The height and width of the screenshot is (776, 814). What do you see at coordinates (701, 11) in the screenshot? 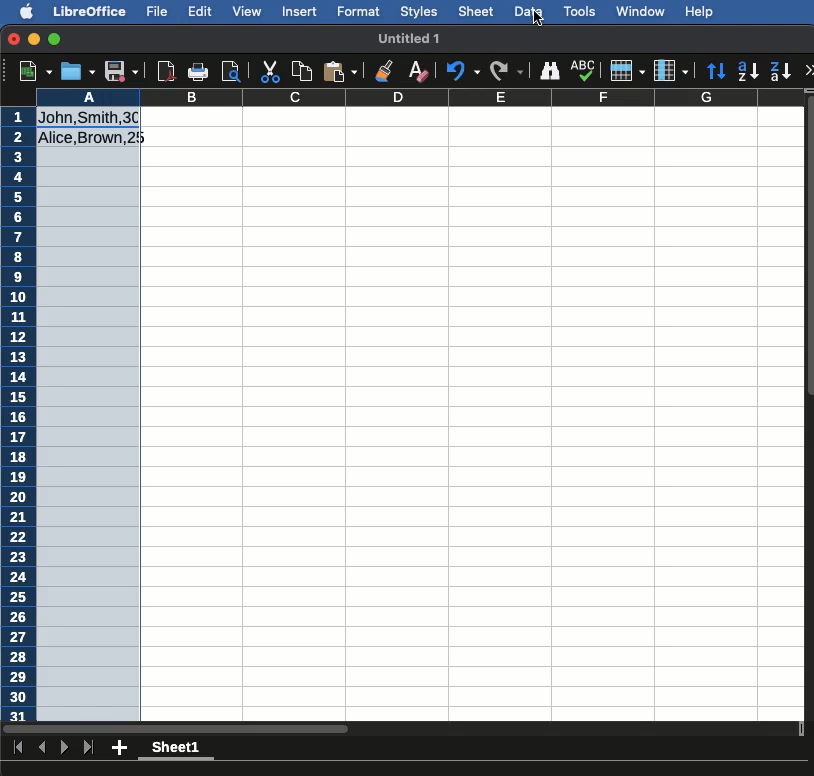
I see `Help` at bounding box center [701, 11].